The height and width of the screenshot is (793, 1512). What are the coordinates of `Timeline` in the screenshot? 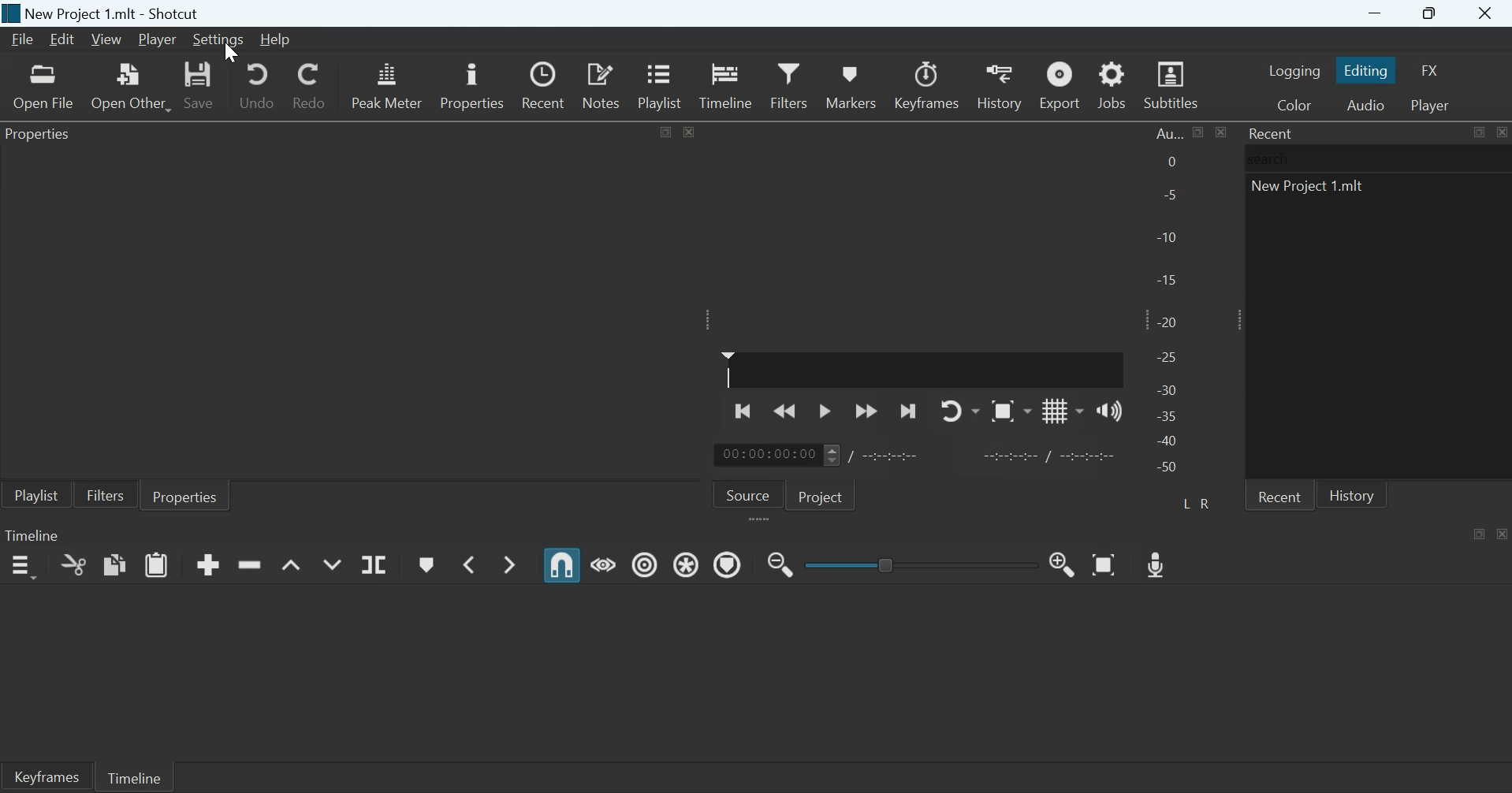 It's located at (726, 84).